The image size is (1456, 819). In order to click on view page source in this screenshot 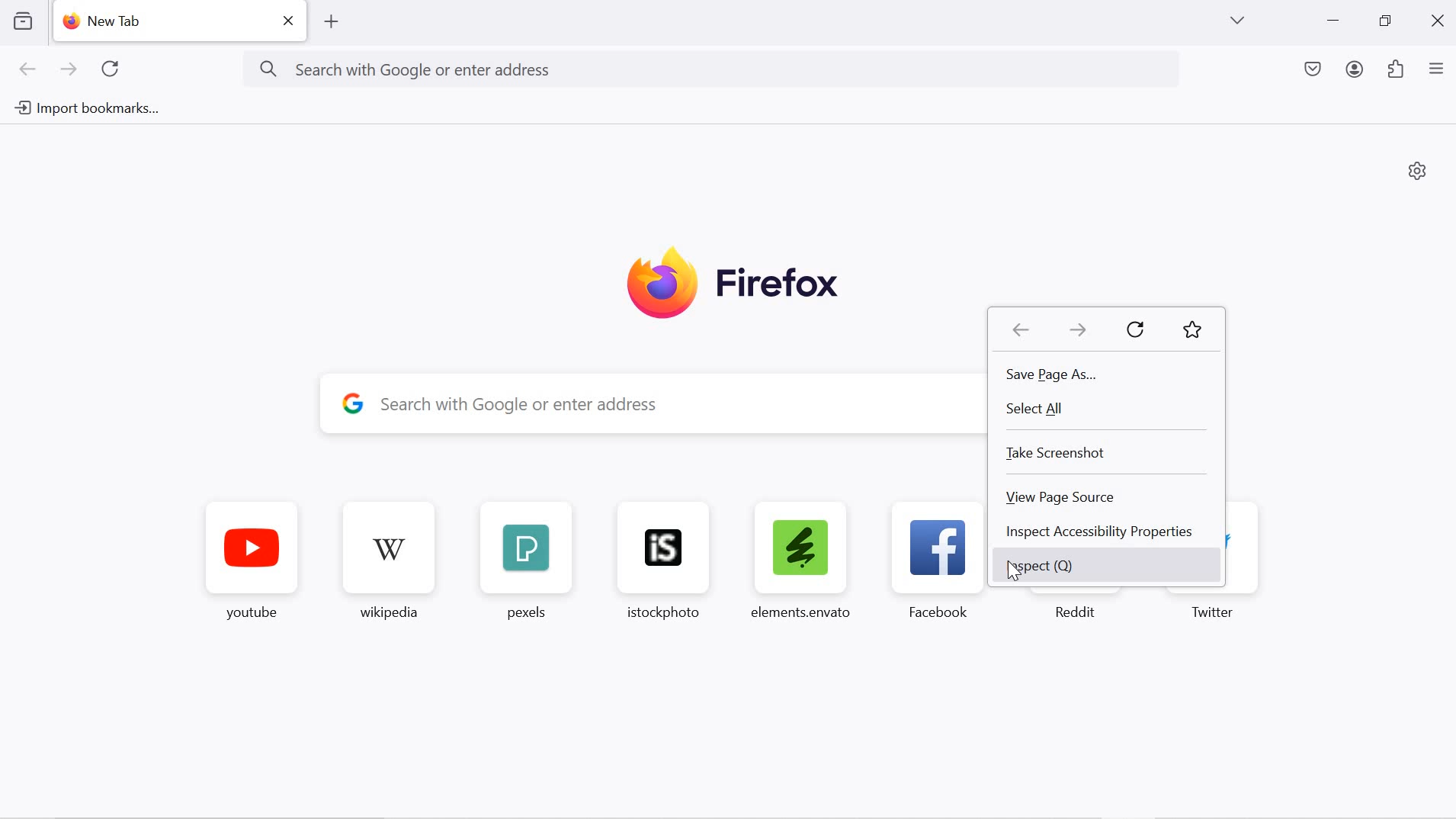, I will do `click(1108, 496)`.